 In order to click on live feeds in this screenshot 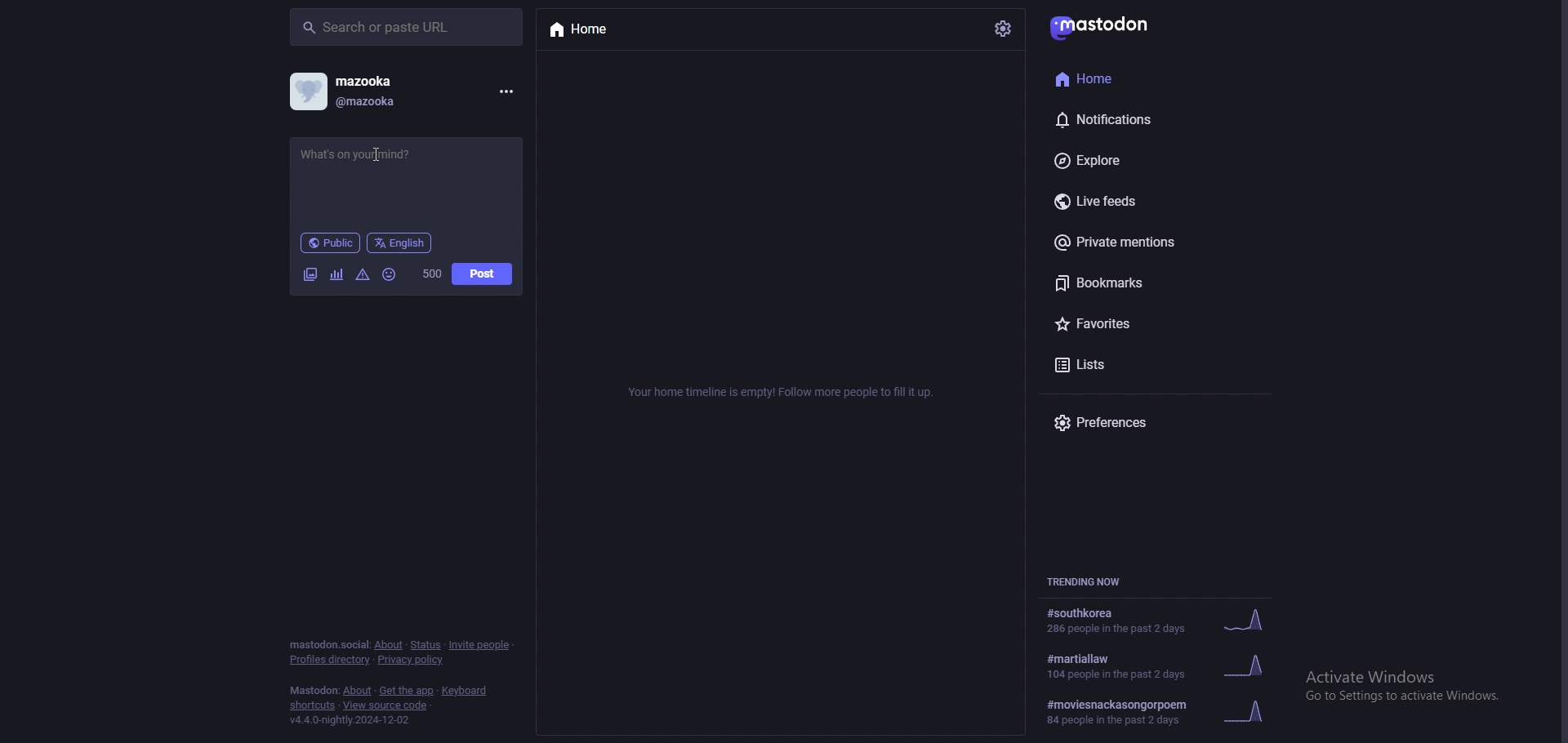, I will do `click(1147, 200)`.